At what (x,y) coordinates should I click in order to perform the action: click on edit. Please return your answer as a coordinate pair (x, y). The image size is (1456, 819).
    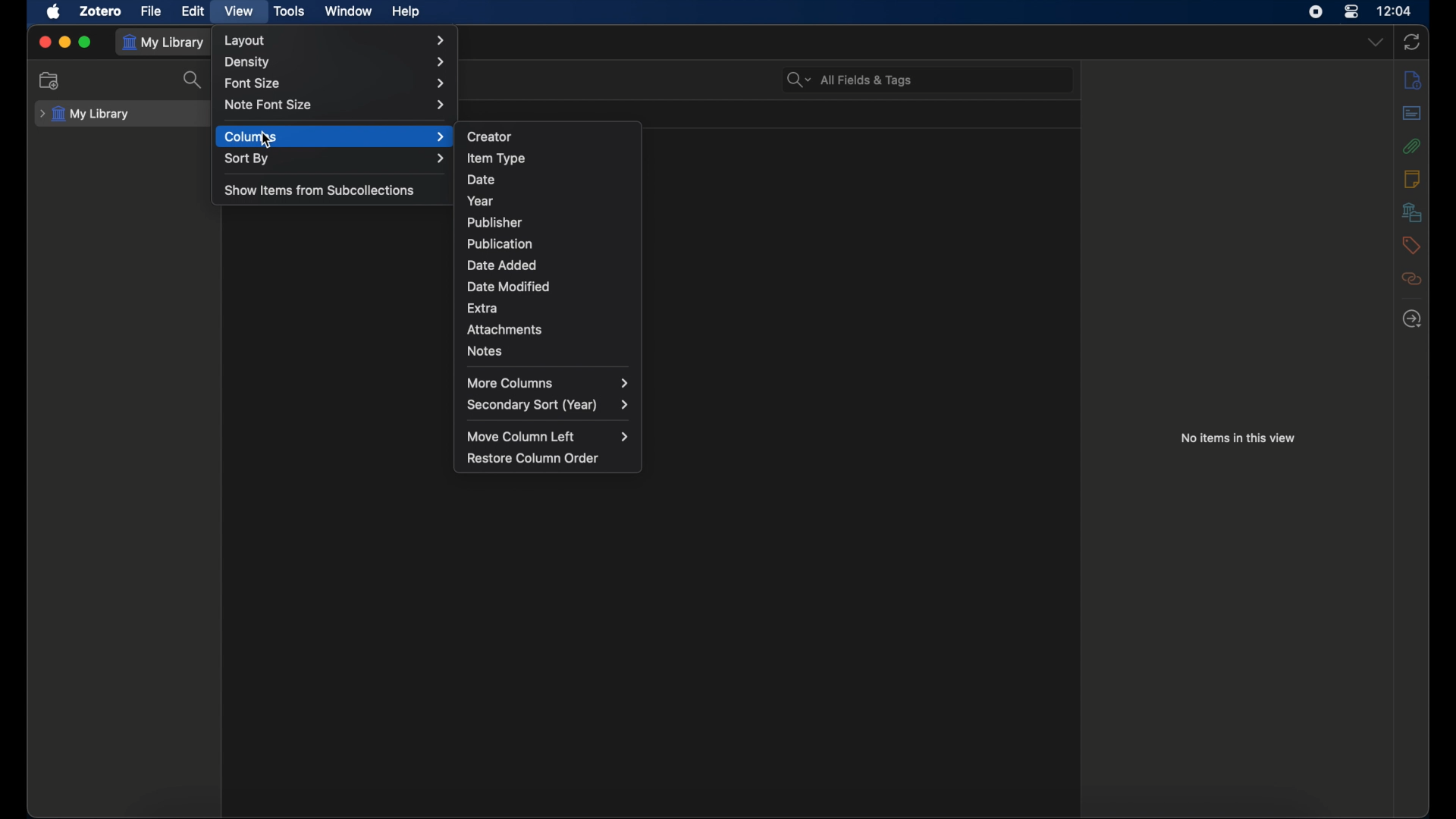
    Looking at the image, I should click on (196, 11).